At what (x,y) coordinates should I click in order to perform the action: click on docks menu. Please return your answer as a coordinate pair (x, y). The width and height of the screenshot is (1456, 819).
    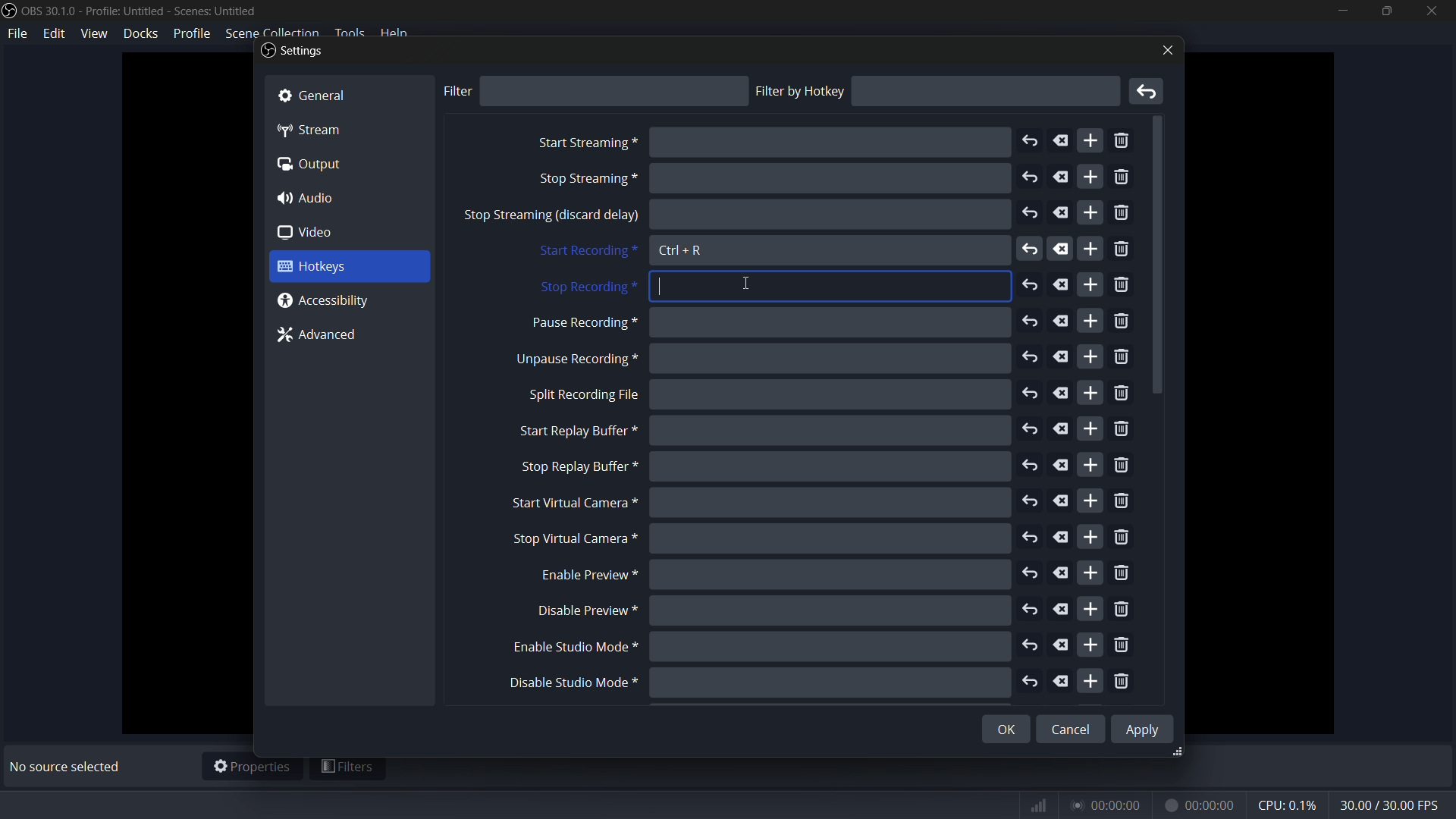
    Looking at the image, I should click on (142, 33).